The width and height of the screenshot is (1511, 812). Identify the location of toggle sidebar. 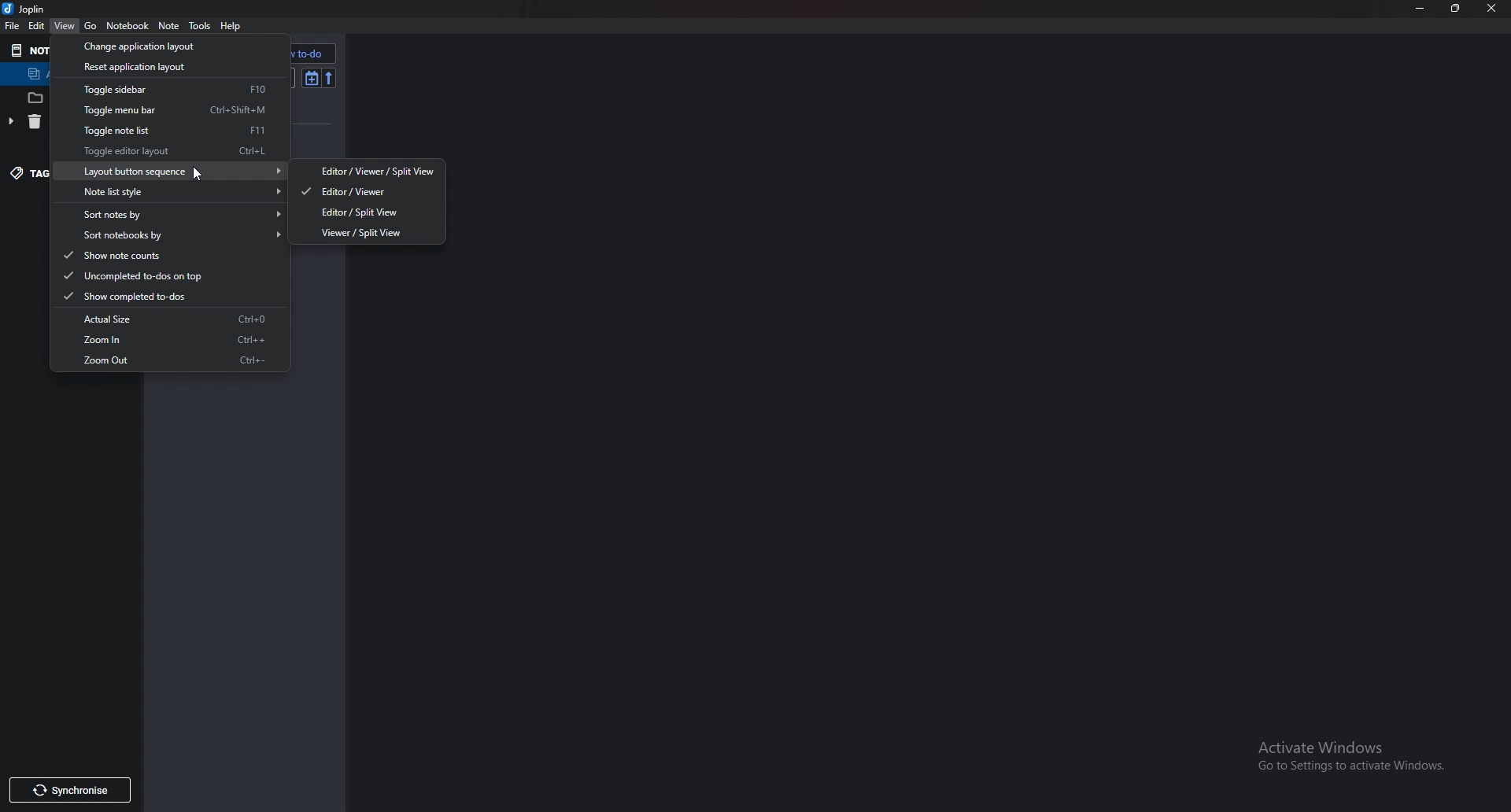
(168, 90).